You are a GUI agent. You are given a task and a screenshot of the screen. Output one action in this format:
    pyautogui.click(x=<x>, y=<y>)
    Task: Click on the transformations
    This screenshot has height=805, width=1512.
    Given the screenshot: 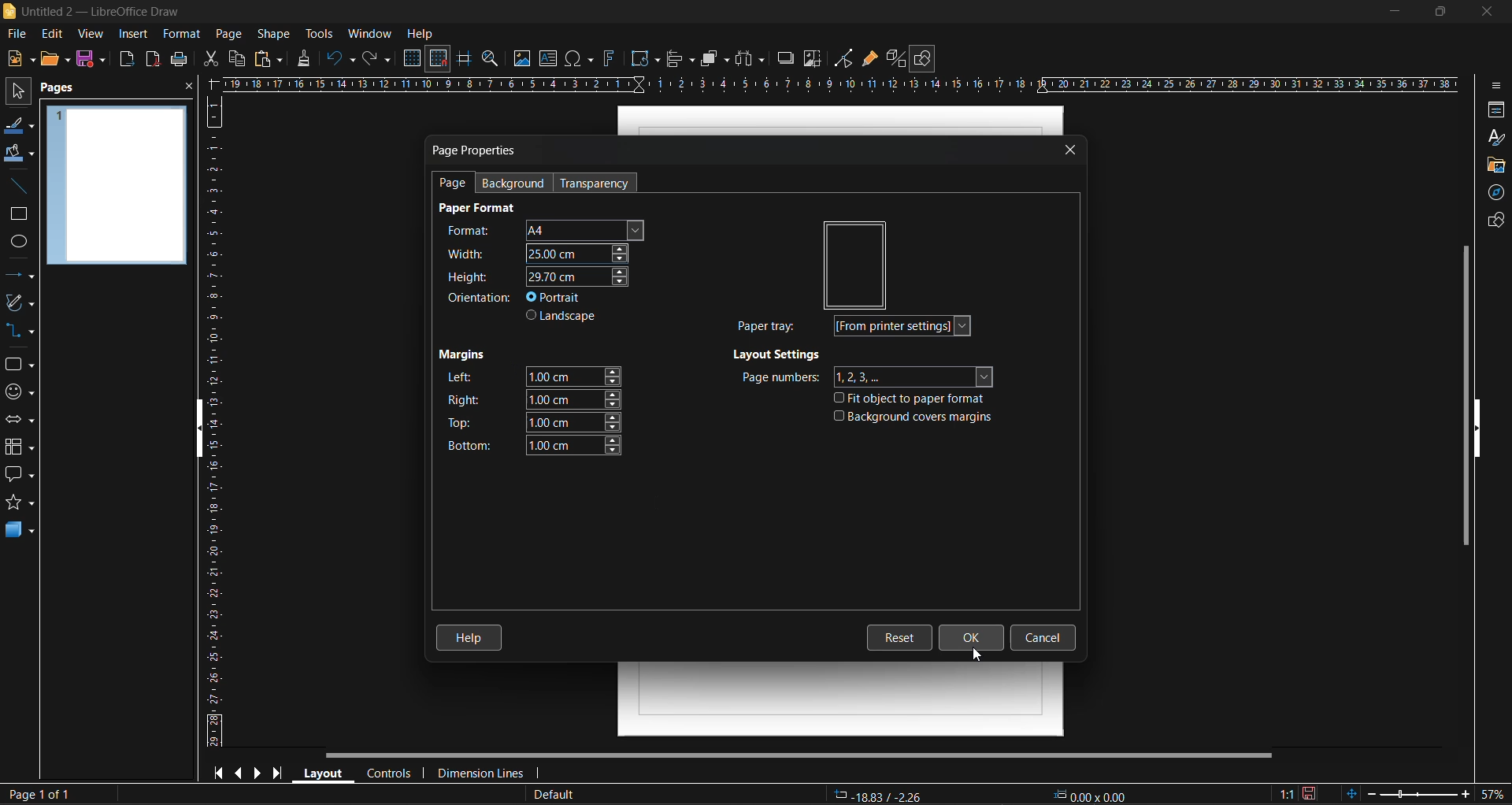 What is the action you would take?
    pyautogui.click(x=646, y=58)
    